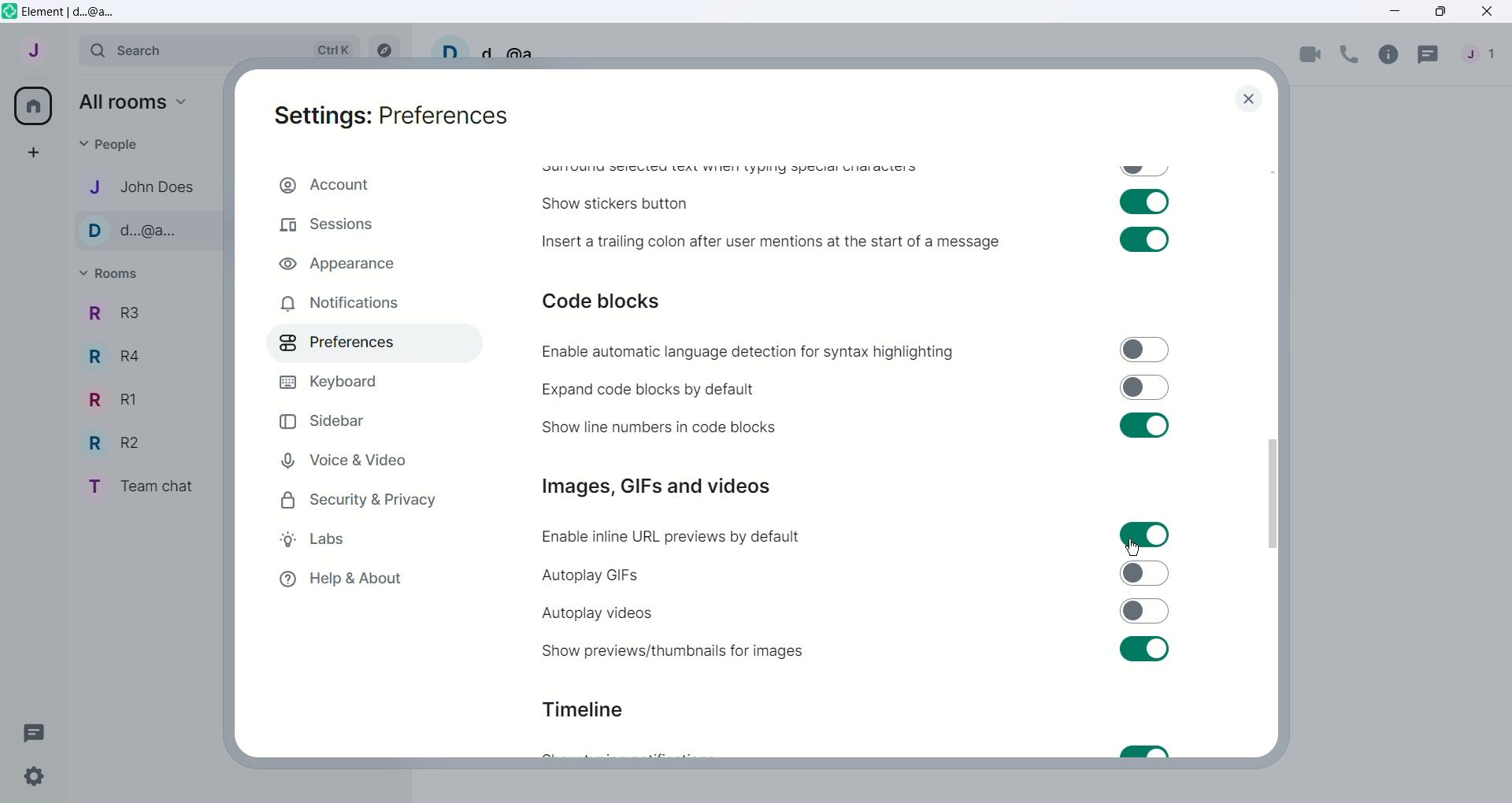 This screenshot has height=803, width=1512. I want to click on Explore rooms, so click(384, 47).